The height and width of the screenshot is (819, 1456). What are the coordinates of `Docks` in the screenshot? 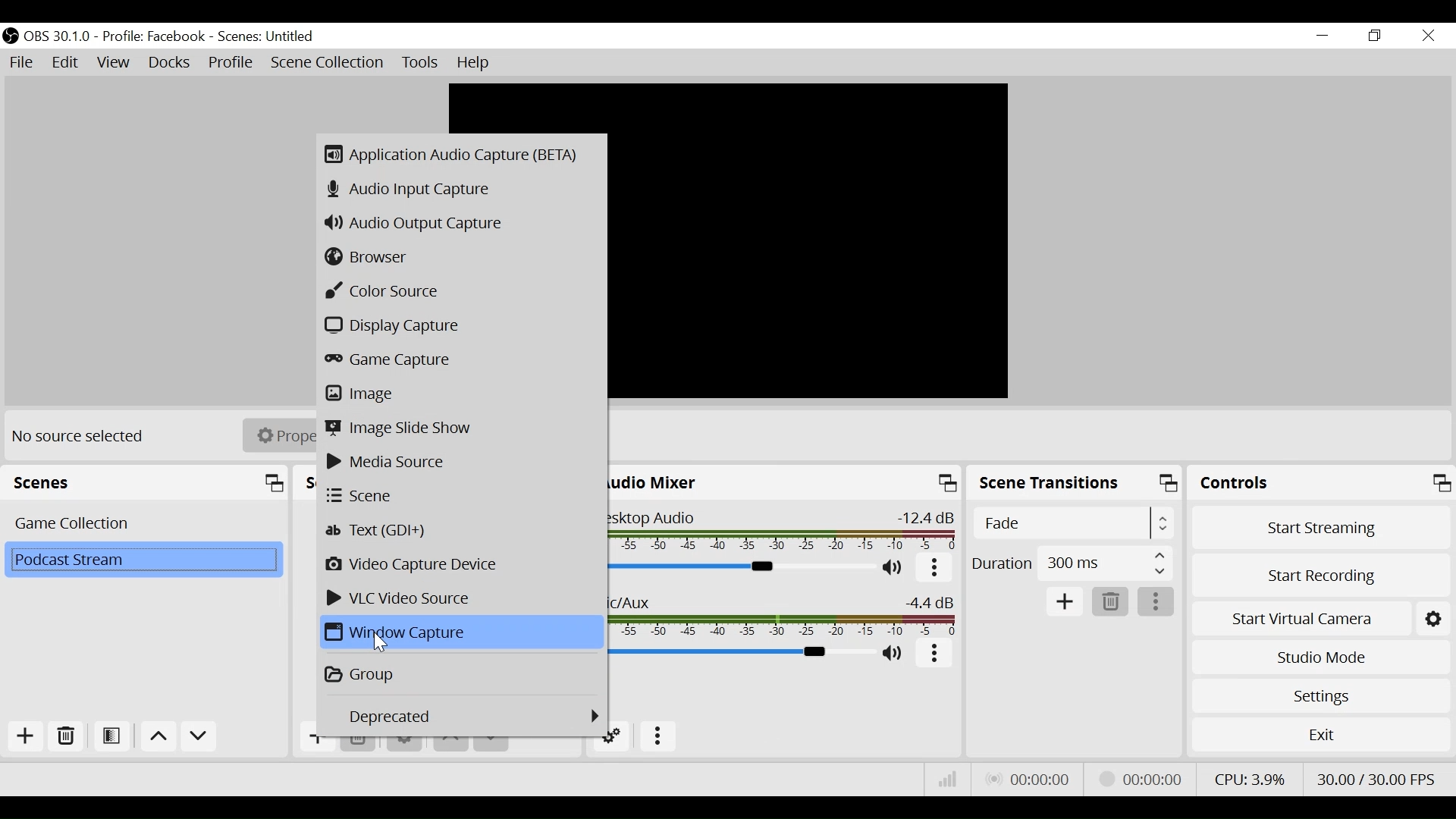 It's located at (169, 63).